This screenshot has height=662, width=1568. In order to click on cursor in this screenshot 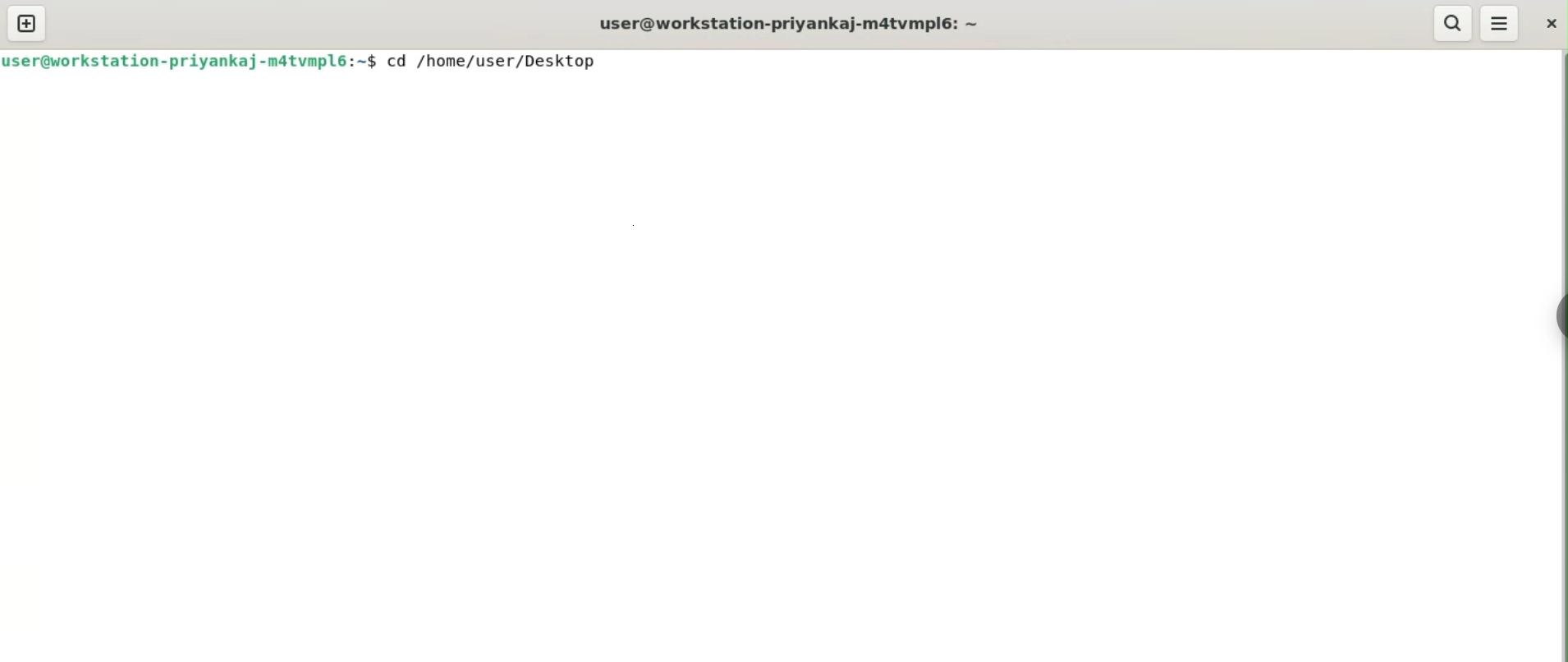, I will do `click(614, 64)`.